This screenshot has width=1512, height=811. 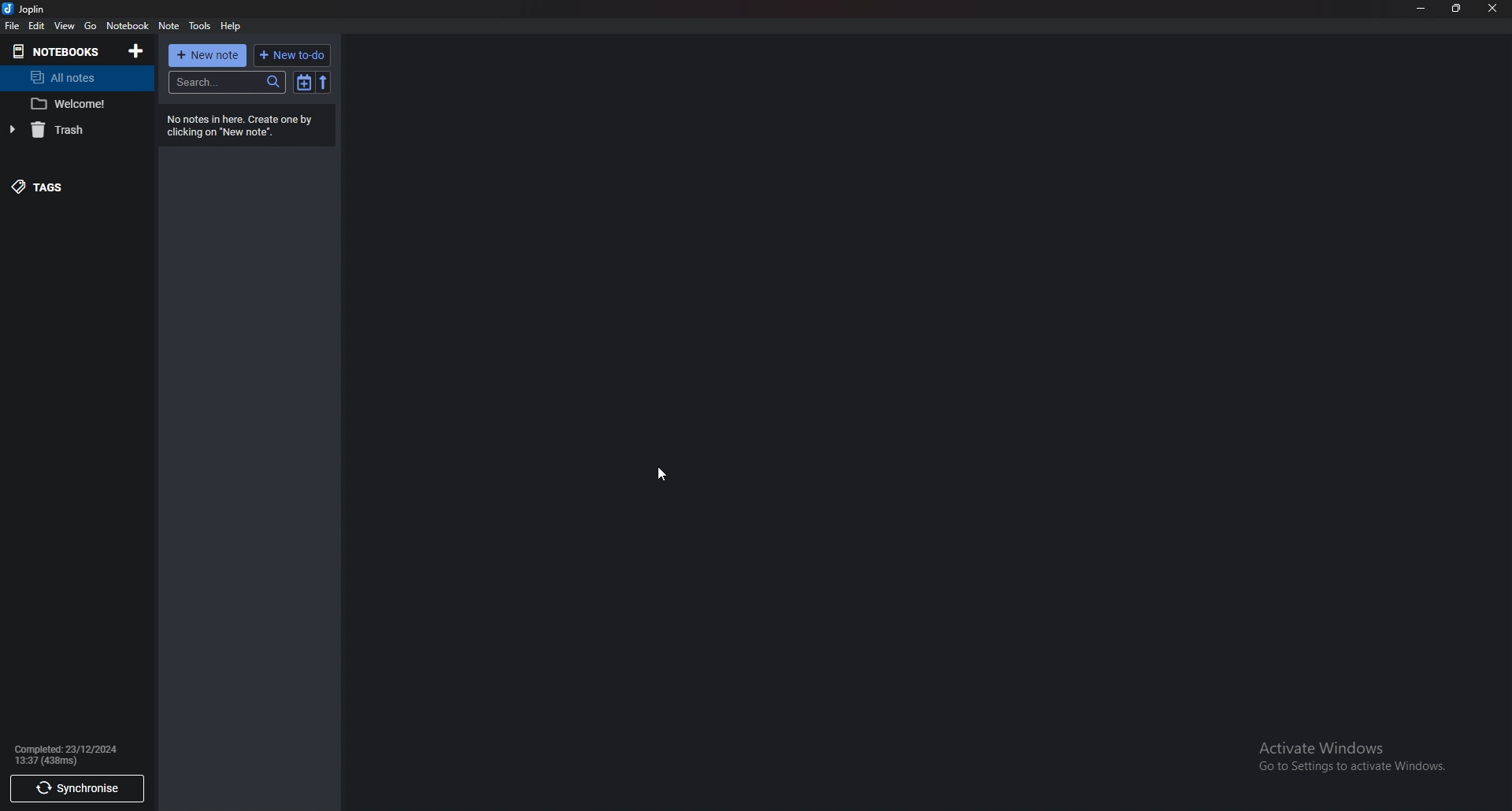 What do you see at coordinates (201, 27) in the screenshot?
I see `Tools` at bounding box center [201, 27].